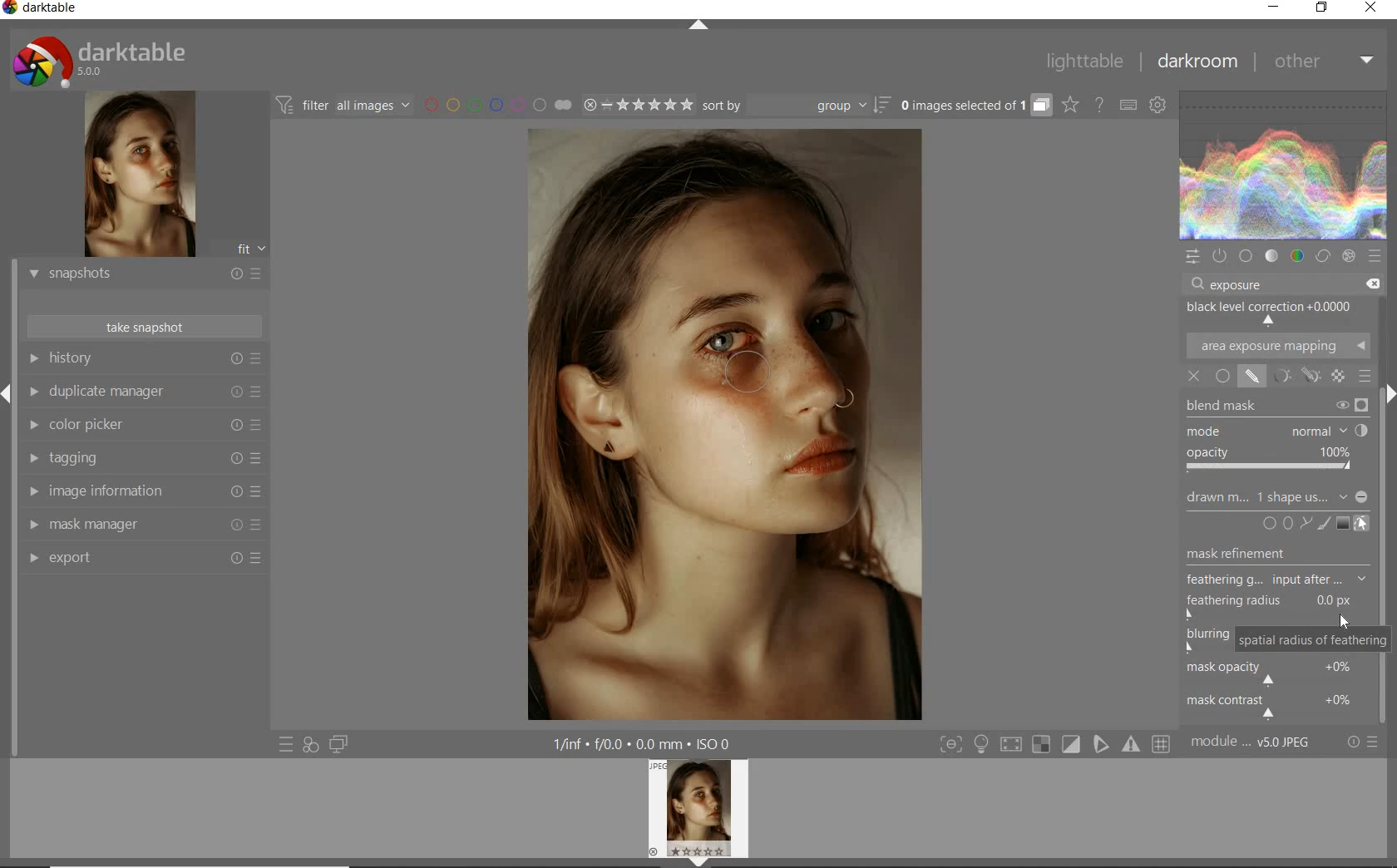  Describe the element at coordinates (343, 105) in the screenshot. I see `filter images based on their modules` at that location.